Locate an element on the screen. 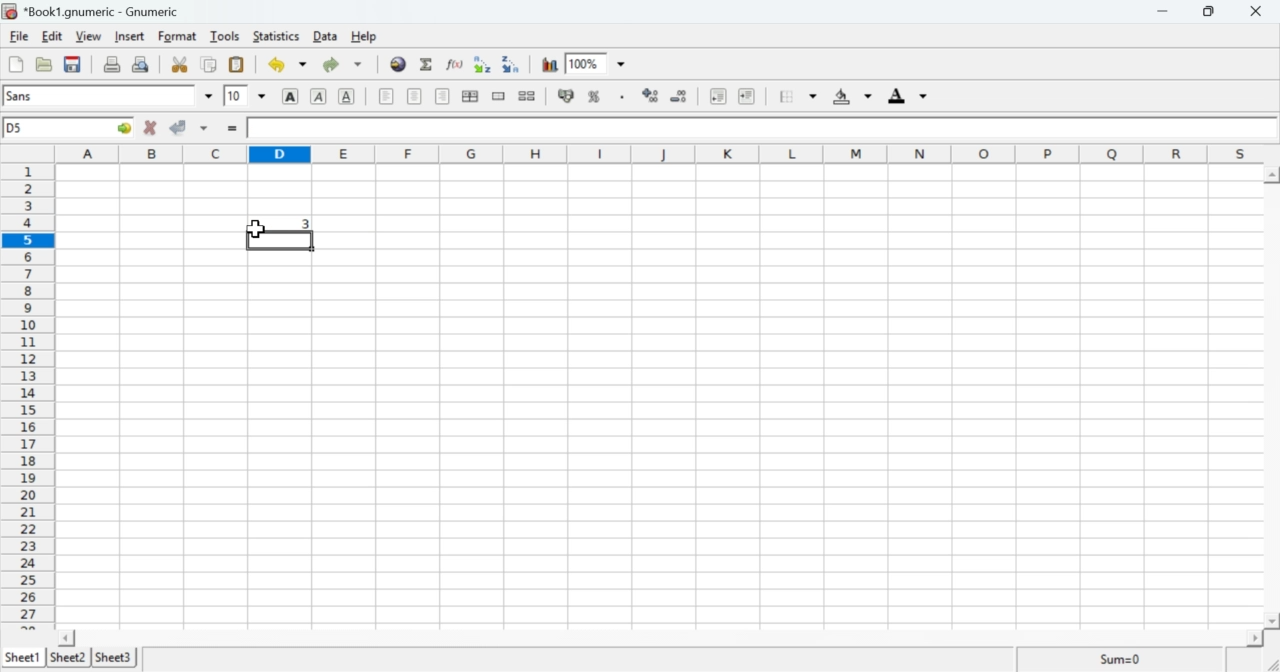 This screenshot has height=672, width=1280. Sheet 2 is located at coordinates (70, 658).